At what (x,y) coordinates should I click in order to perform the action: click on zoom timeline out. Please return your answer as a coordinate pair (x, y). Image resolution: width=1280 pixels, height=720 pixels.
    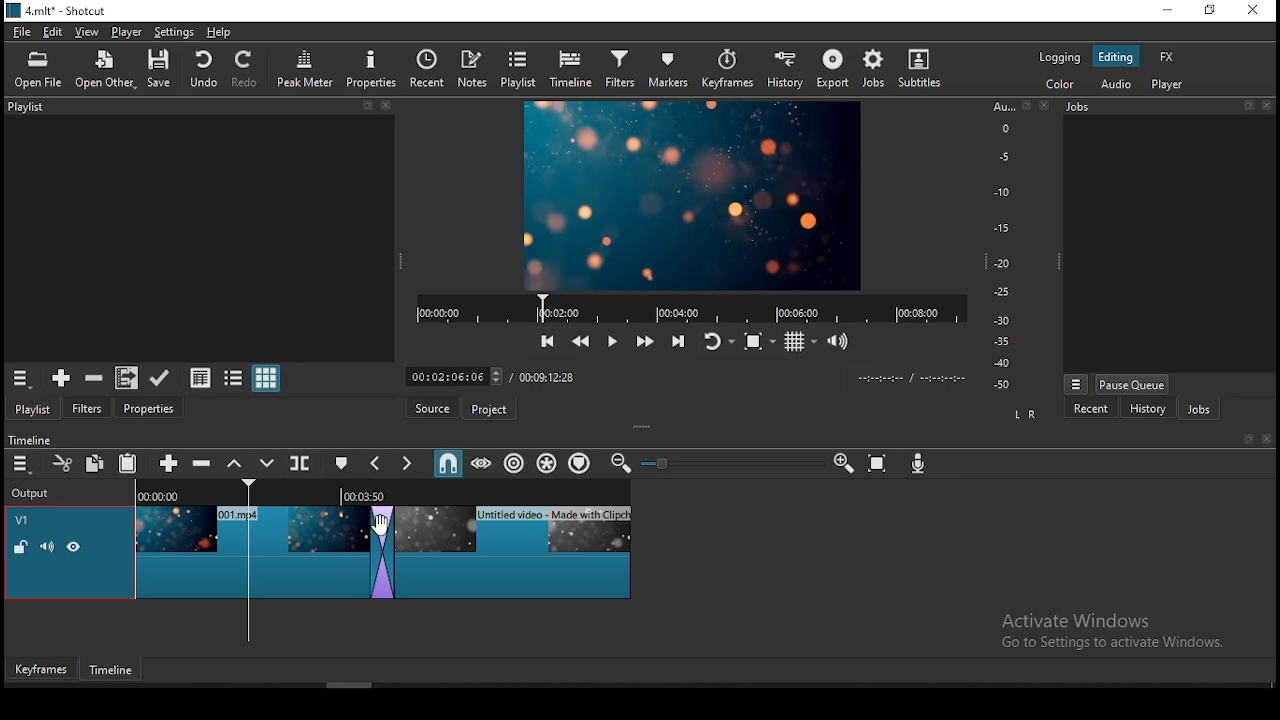
    Looking at the image, I should click on (619, 464).